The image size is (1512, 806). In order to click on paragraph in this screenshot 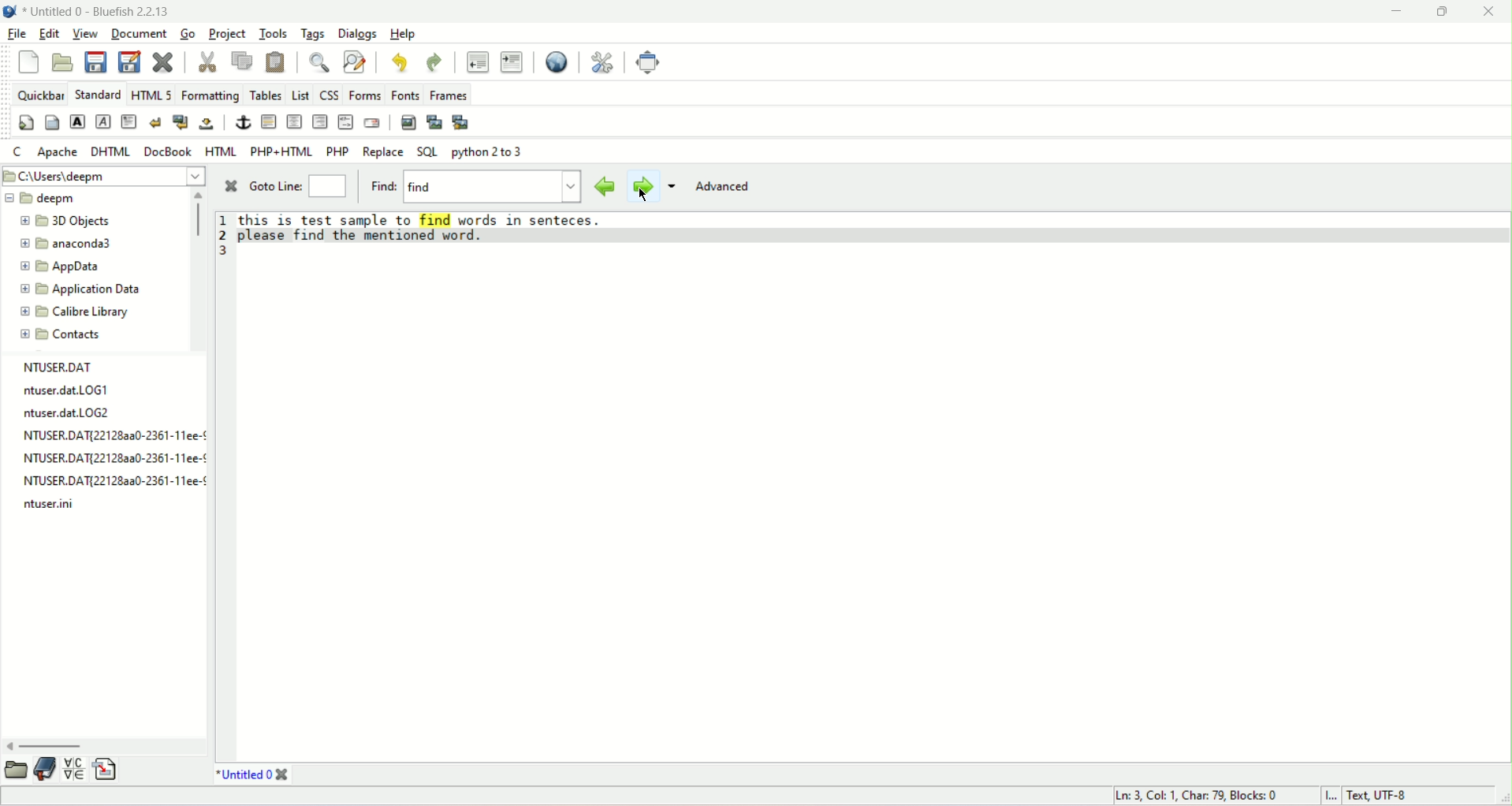, I will do `click(129, 121)`.